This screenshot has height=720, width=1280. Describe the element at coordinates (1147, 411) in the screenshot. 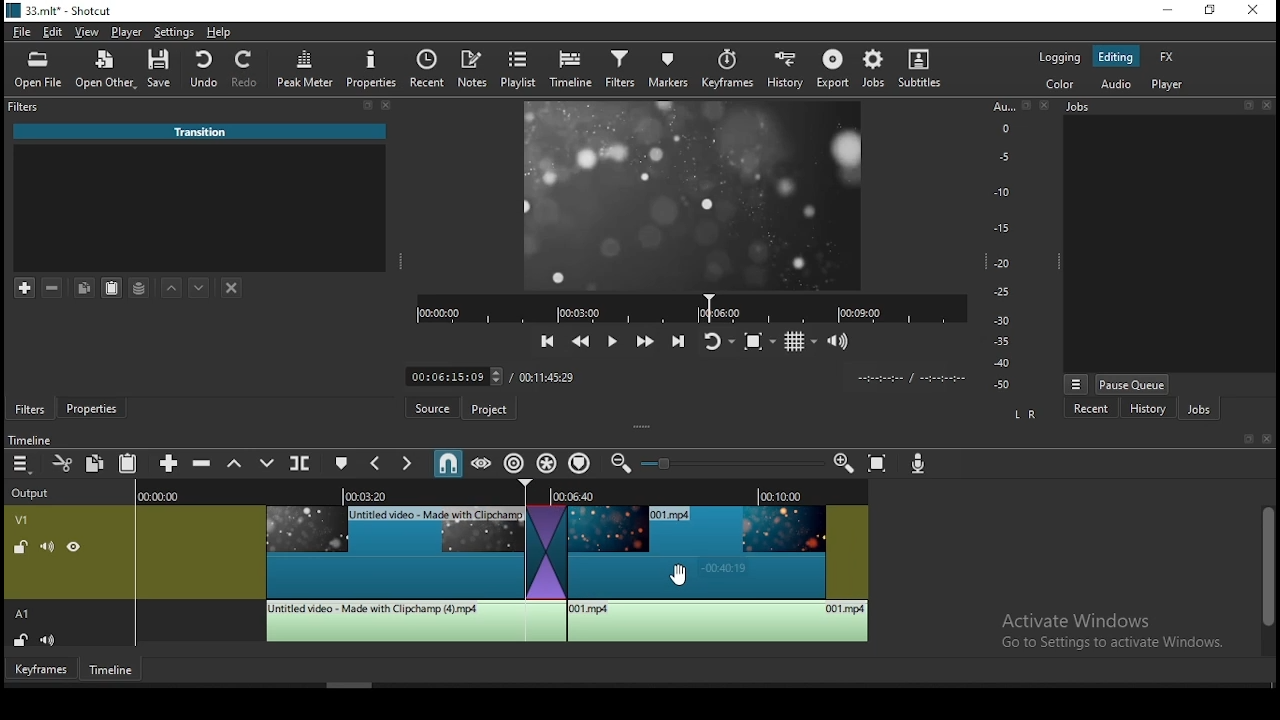

I see `history` at that location.